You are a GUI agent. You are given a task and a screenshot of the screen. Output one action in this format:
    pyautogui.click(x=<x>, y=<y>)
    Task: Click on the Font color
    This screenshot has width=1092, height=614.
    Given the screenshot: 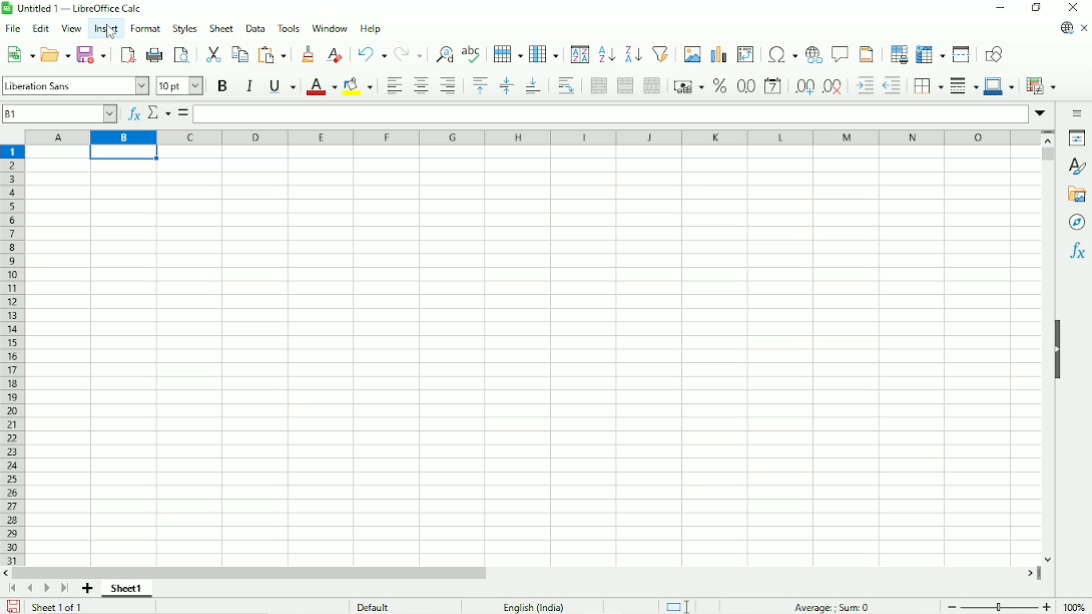 What is the action you would take?
    pyautogui.click(x=322, y=85)
    